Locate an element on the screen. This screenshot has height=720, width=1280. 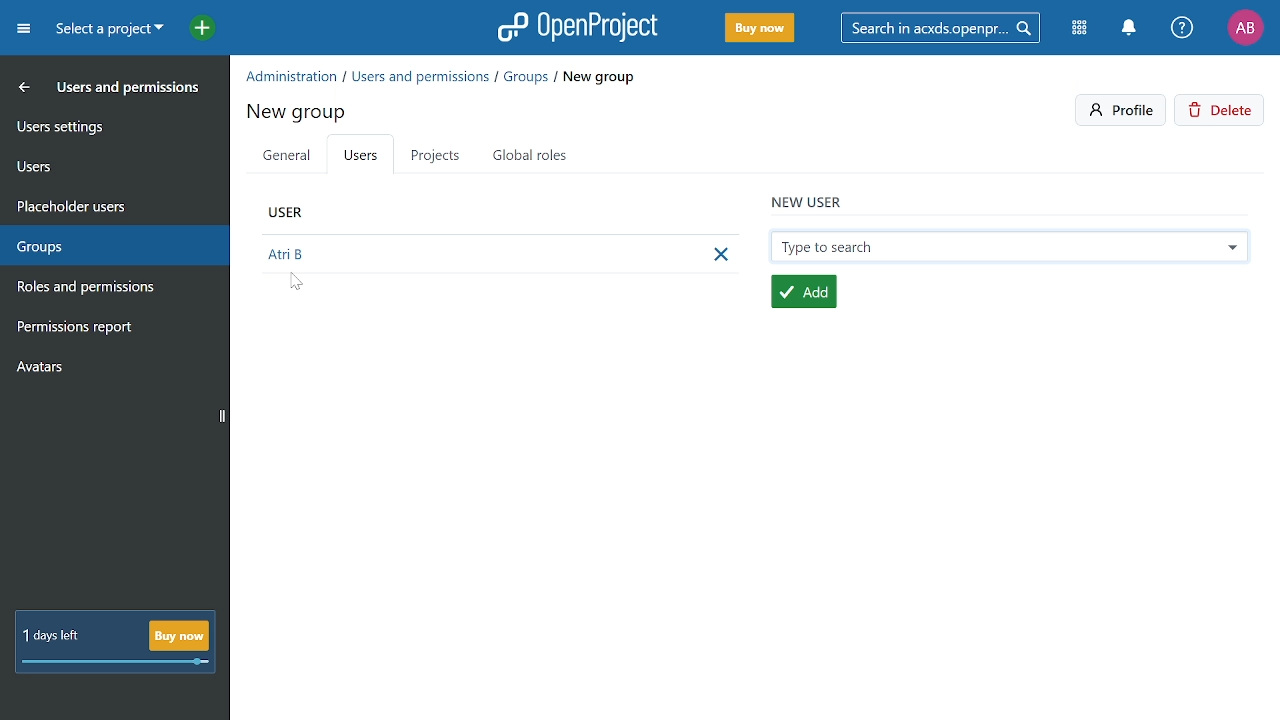
Search is located at coordinates (947, 27).